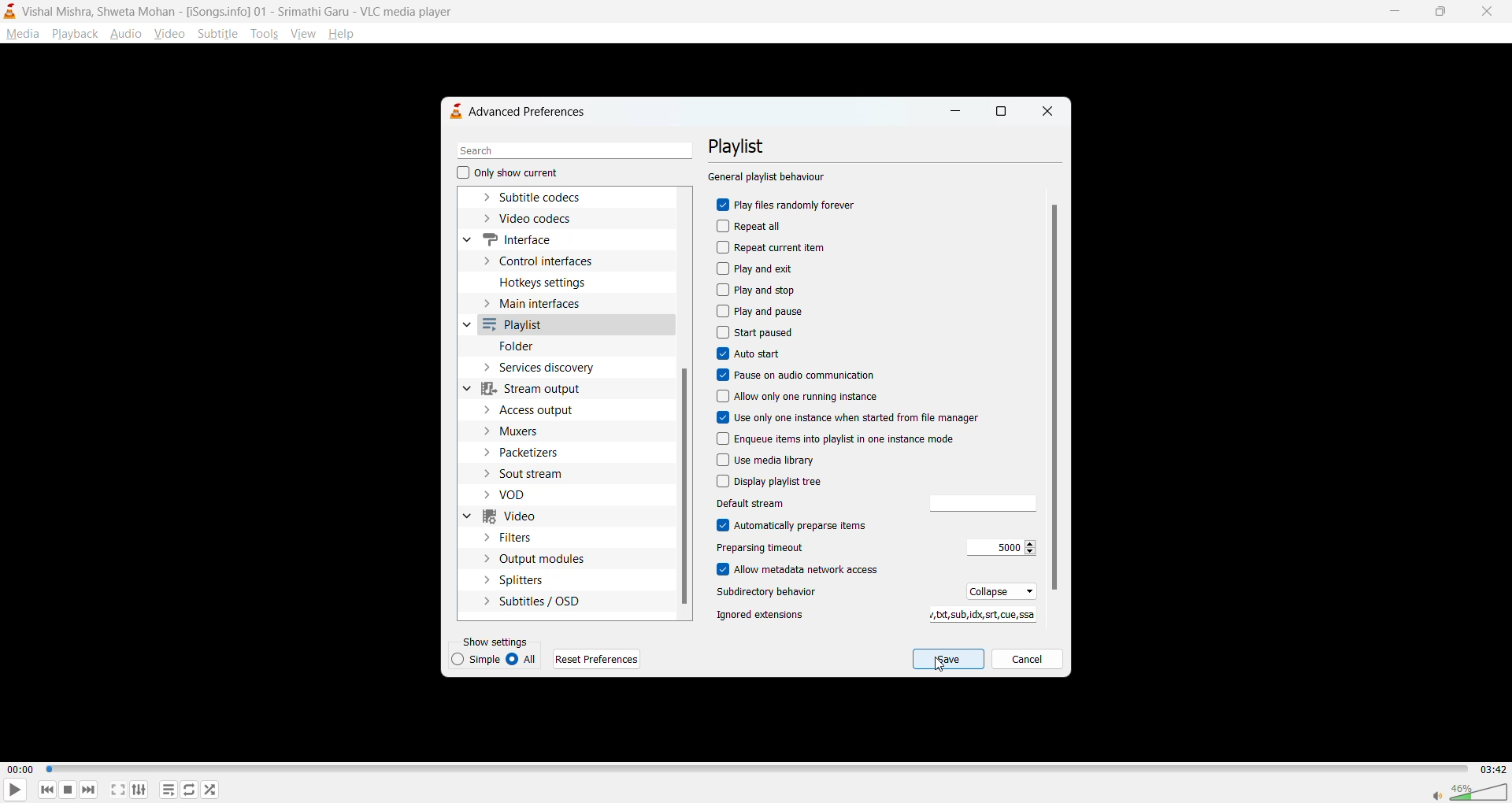  I want to click on display playlist tree, so click(773, 482).